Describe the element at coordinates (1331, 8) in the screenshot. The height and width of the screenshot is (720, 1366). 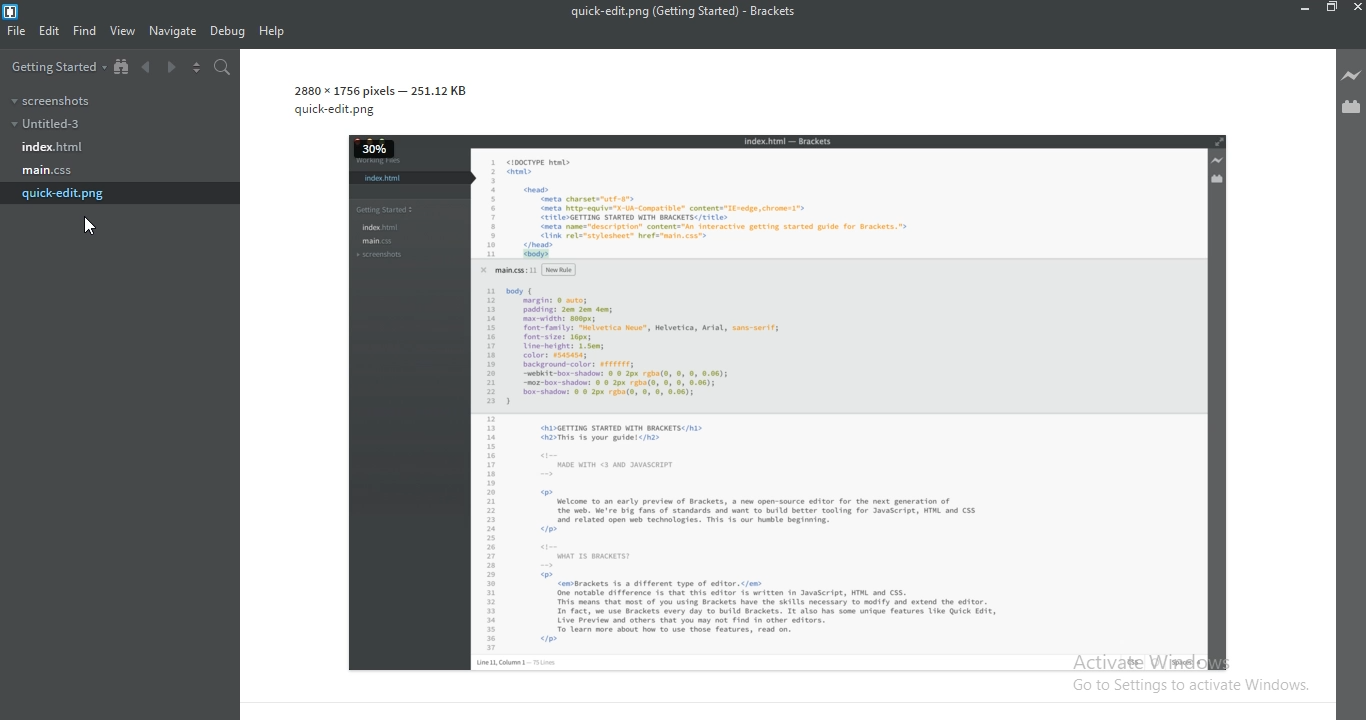
I see `restore` at that location.